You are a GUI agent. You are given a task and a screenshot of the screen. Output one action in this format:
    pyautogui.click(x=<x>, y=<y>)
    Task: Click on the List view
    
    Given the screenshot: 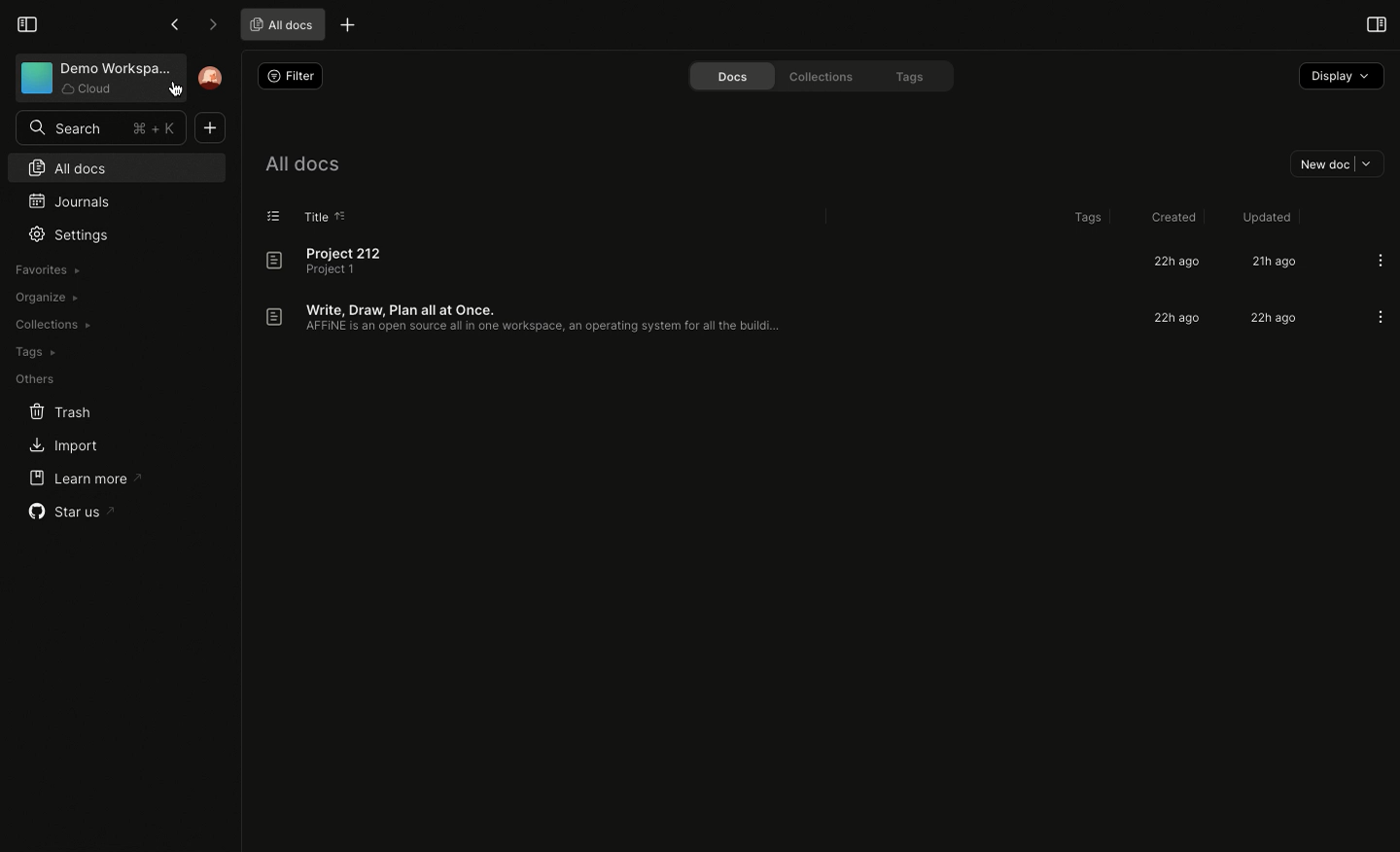 What is the action you would take?
    pyautogui.click(x=275, y=215)
    